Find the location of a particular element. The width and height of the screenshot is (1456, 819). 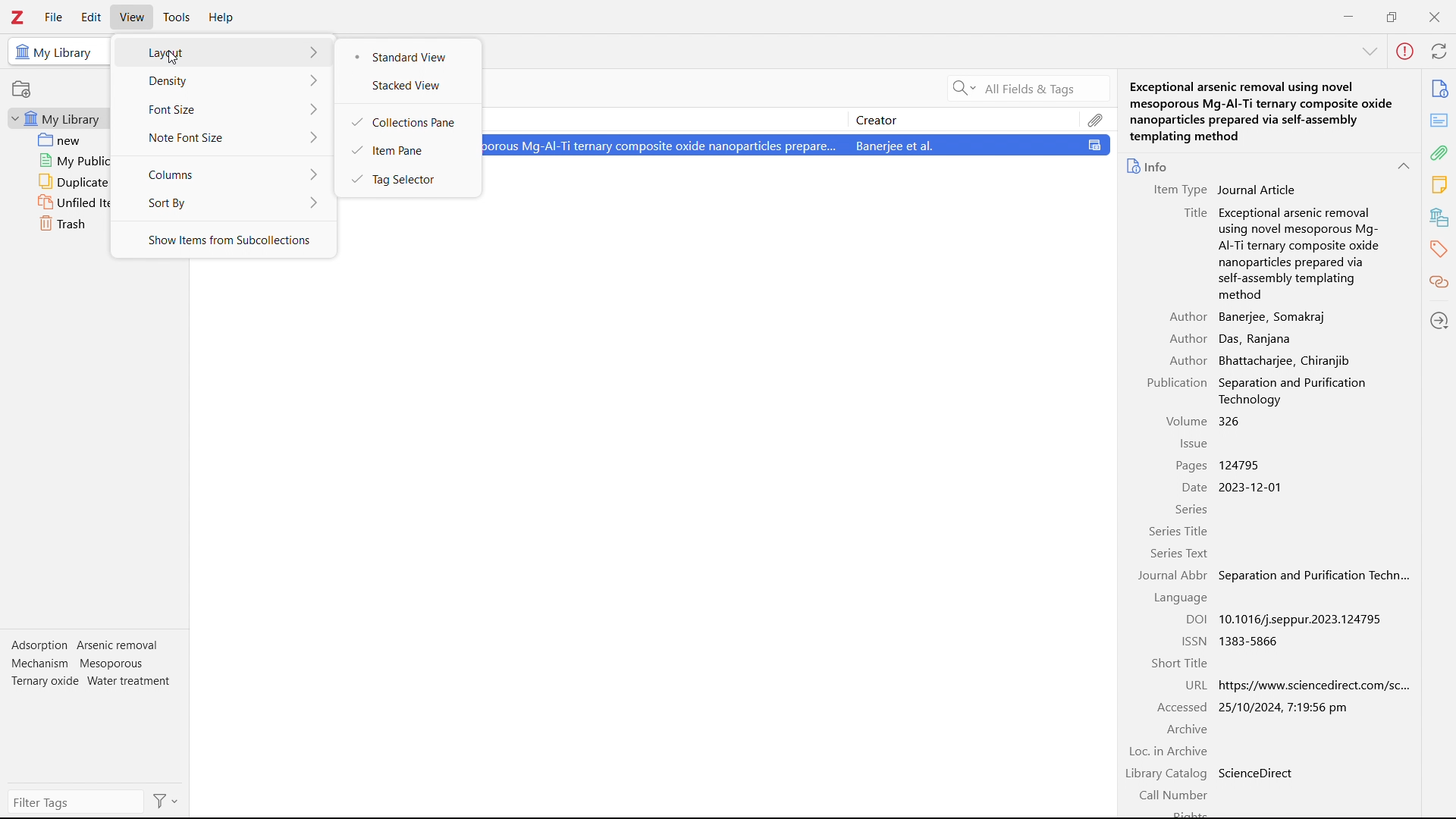

my library is located at coordinates (57, 119).